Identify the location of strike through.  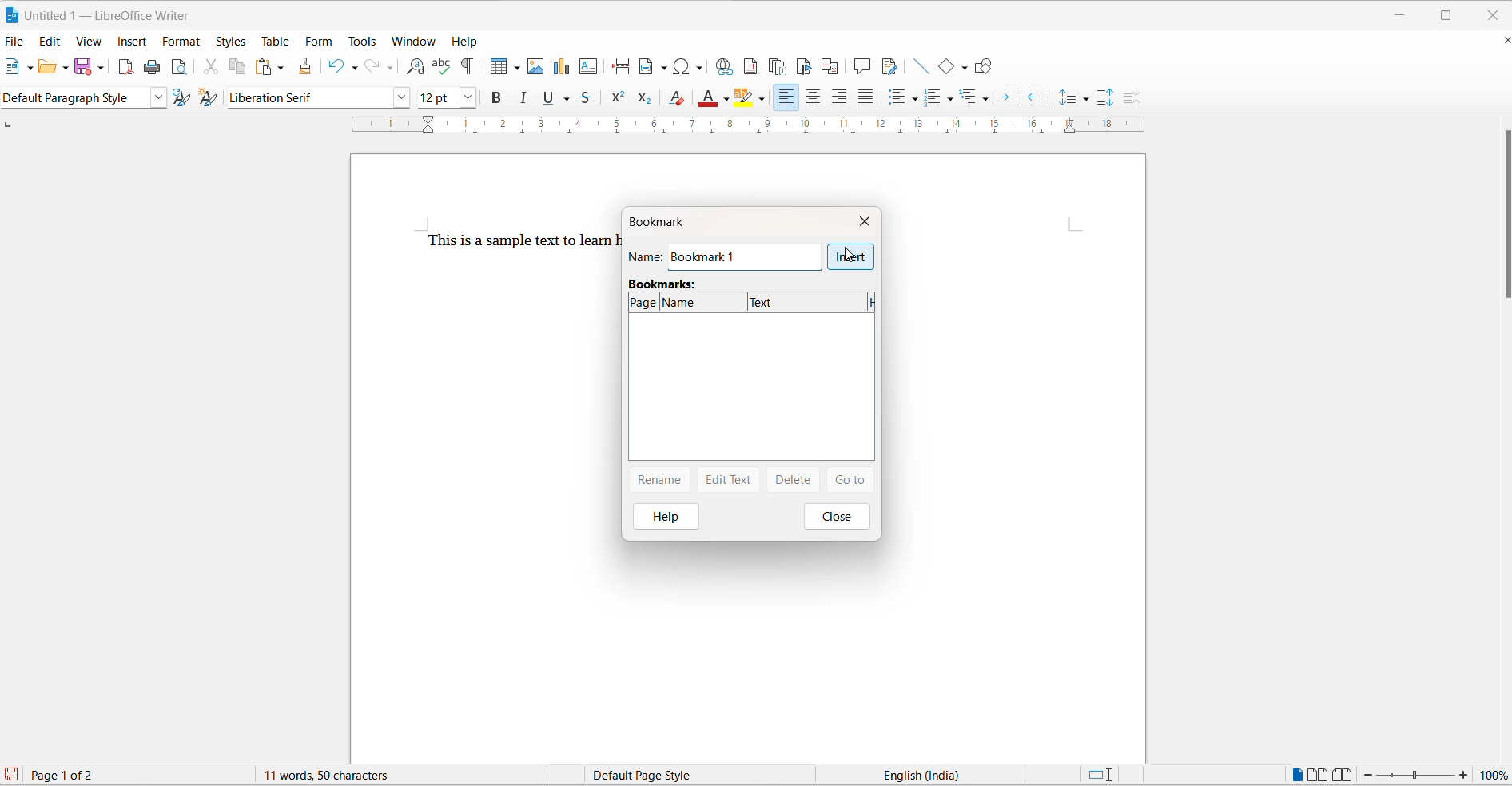
(591, 100).